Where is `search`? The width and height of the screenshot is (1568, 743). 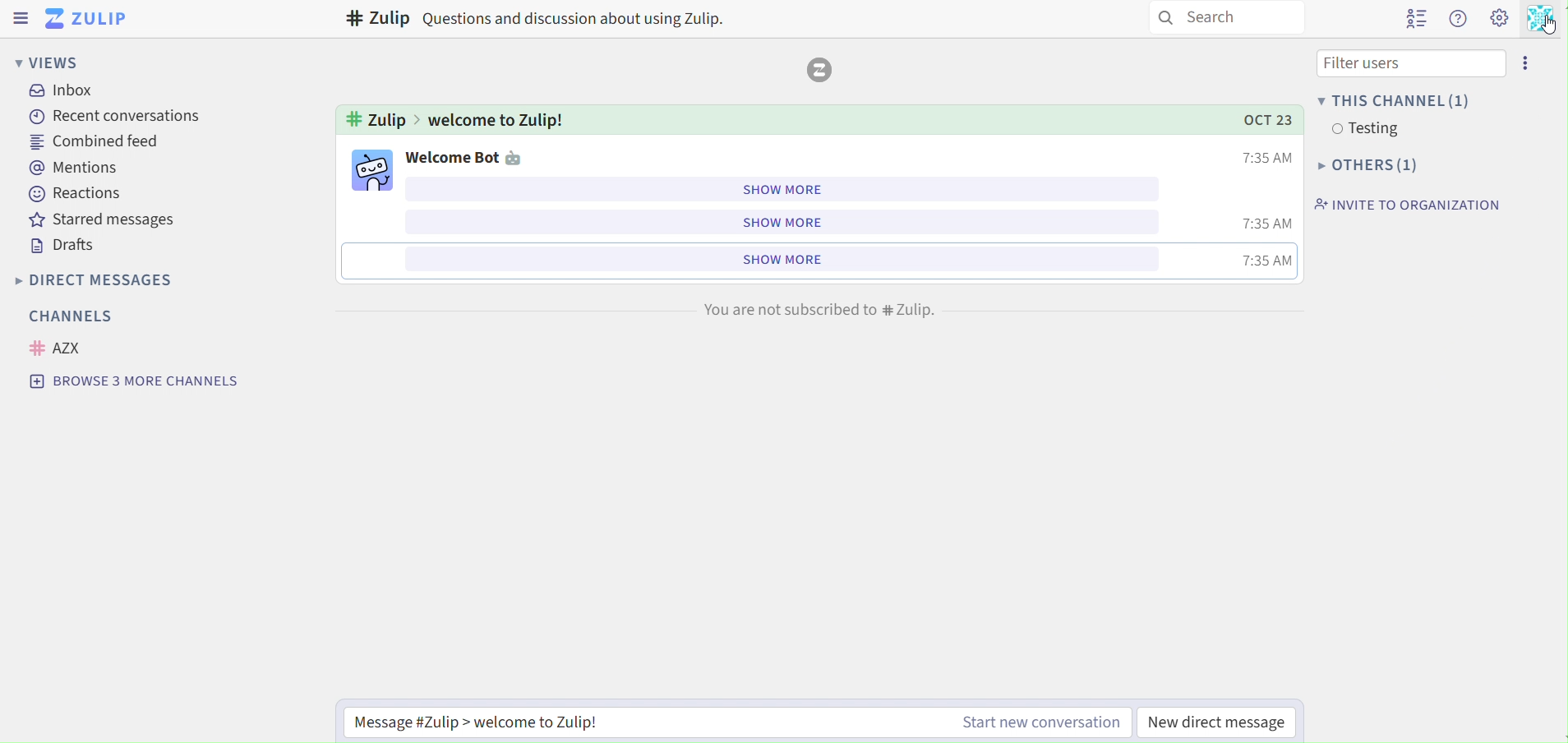
search is located at coordinates (1238, 16).